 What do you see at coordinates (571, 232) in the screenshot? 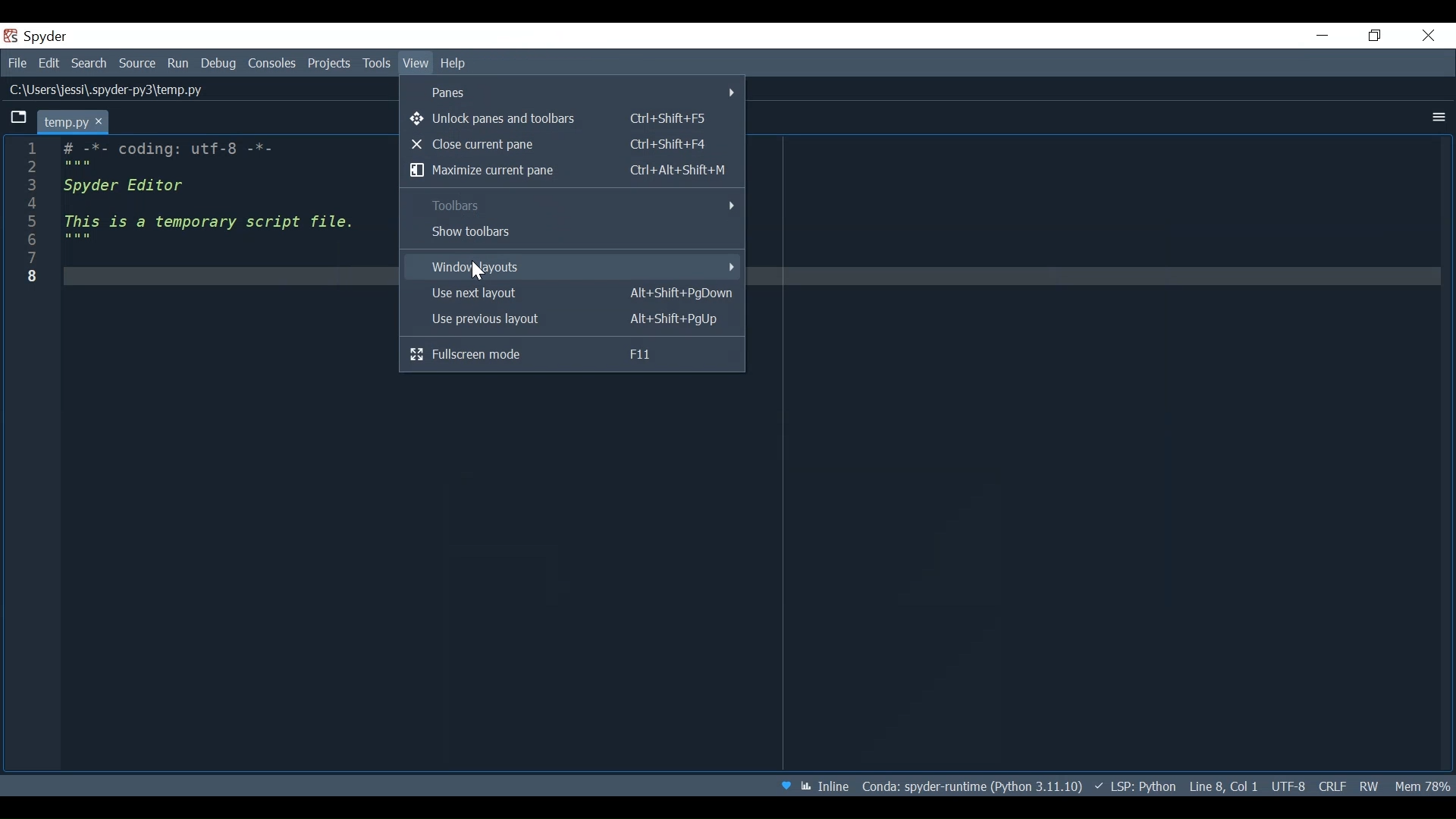
I see `Show toolbars` at bounding box center [571, 232].